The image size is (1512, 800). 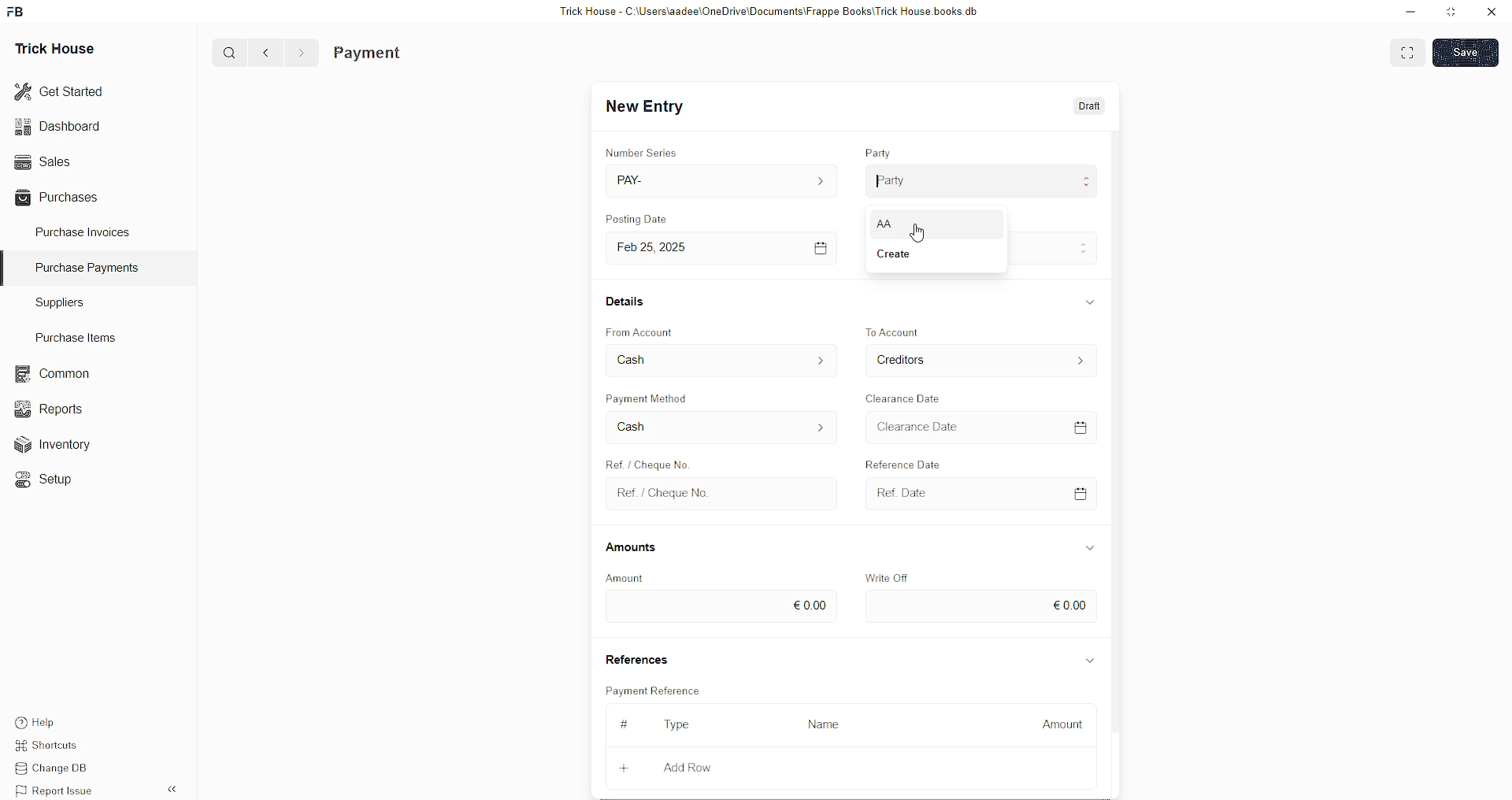 I want to click on #, so click(x=622, y=724).